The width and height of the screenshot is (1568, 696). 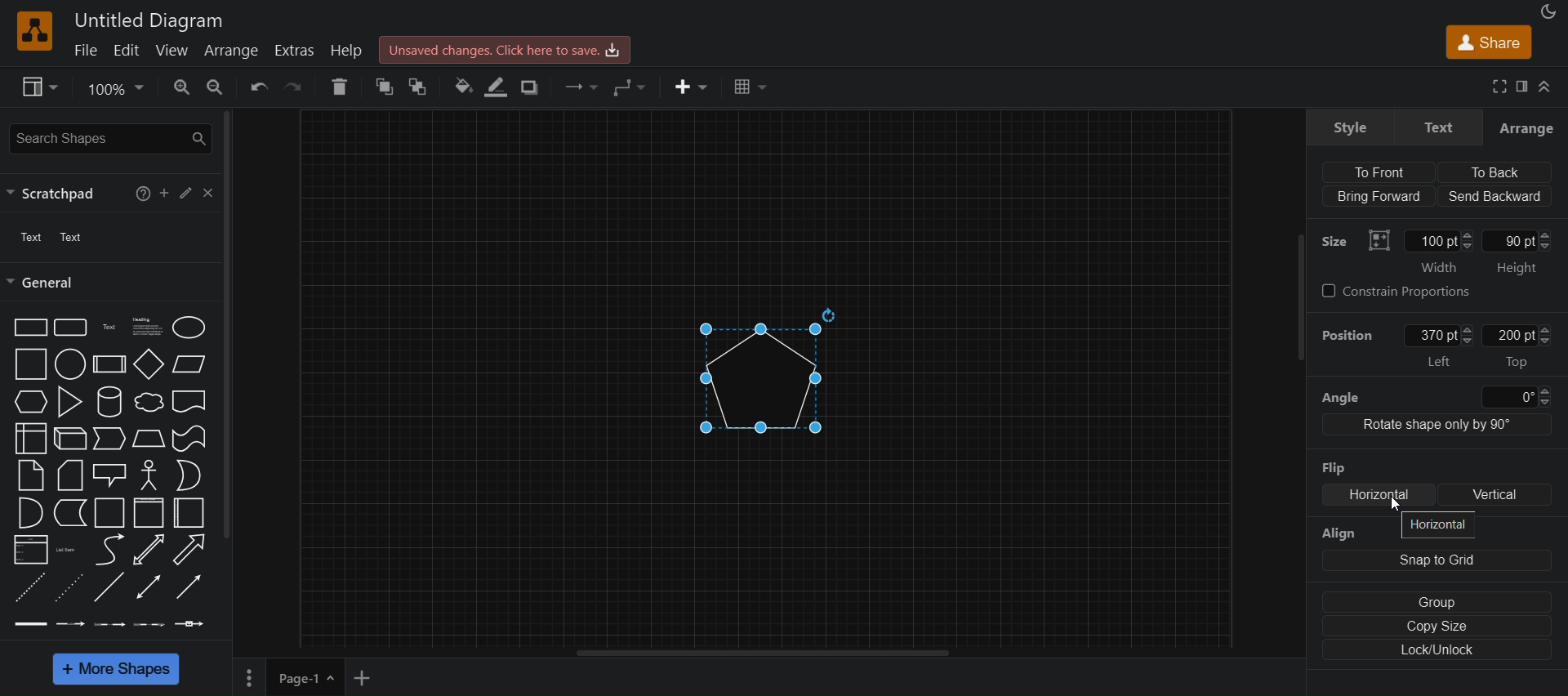 What do you see at coordinates (1379, 172) in the screenshot?
I see `To front` at bounding box center [1379, 172].